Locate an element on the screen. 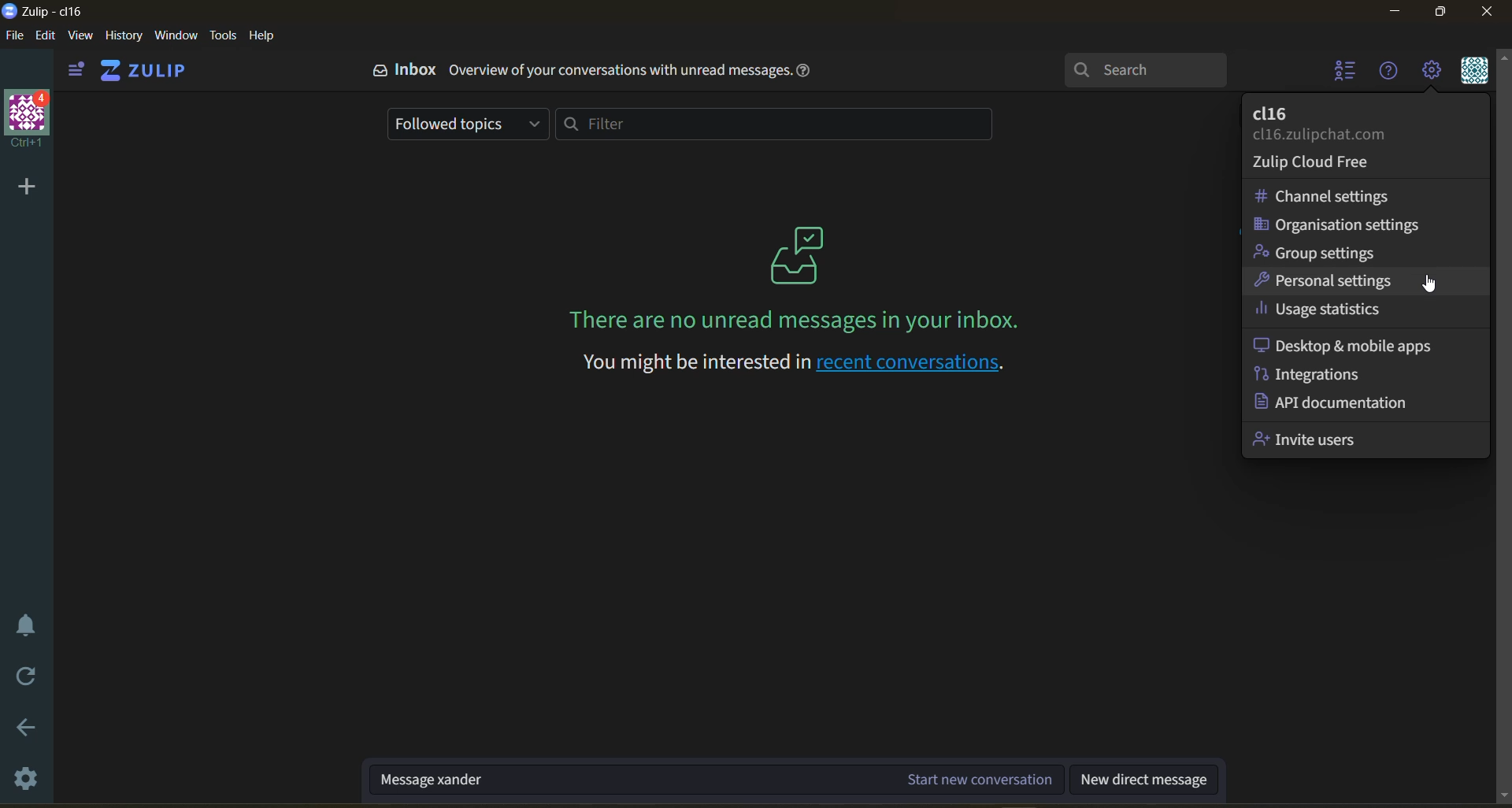  add a new organisation is located at coordinates (25, 187).